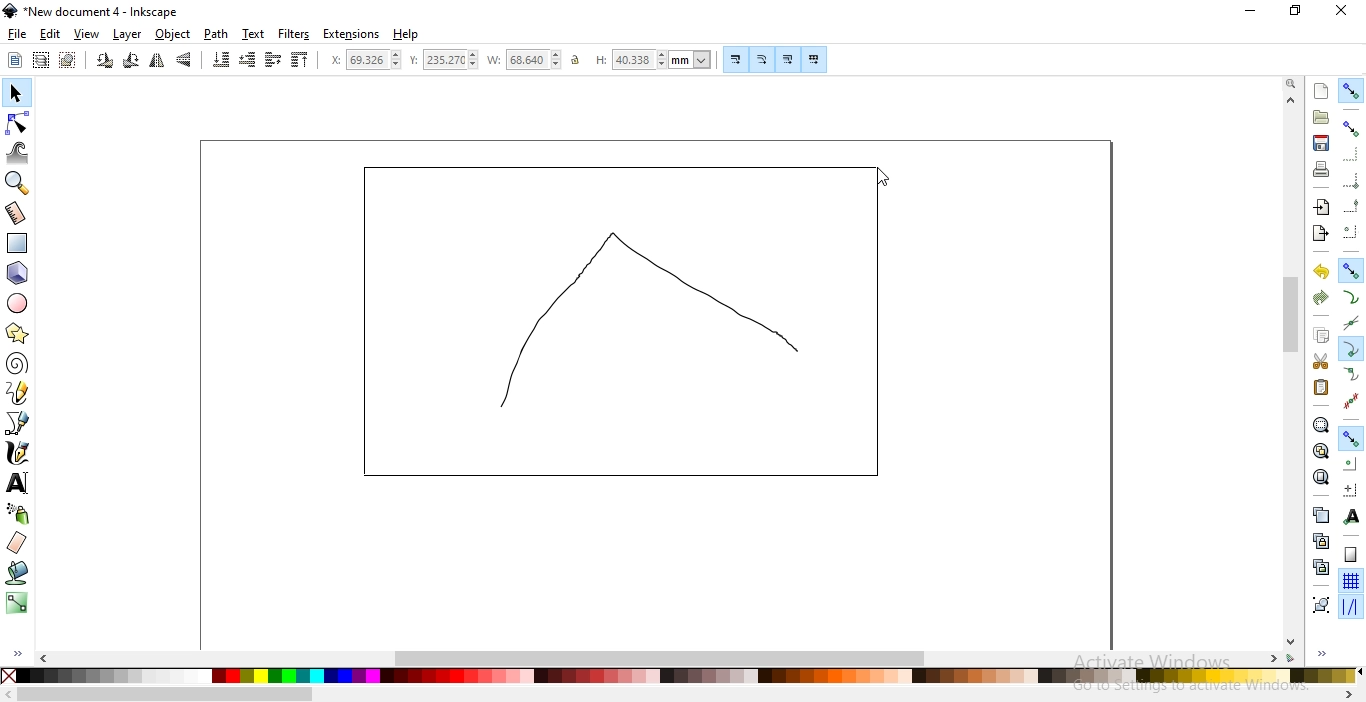 The width and height of the screenshot is (1366, 702). What do you see at coordinates (1352, 516) in the screenshot?
I see `snap text anchors and baseline` at bounding box center [1352, 516].